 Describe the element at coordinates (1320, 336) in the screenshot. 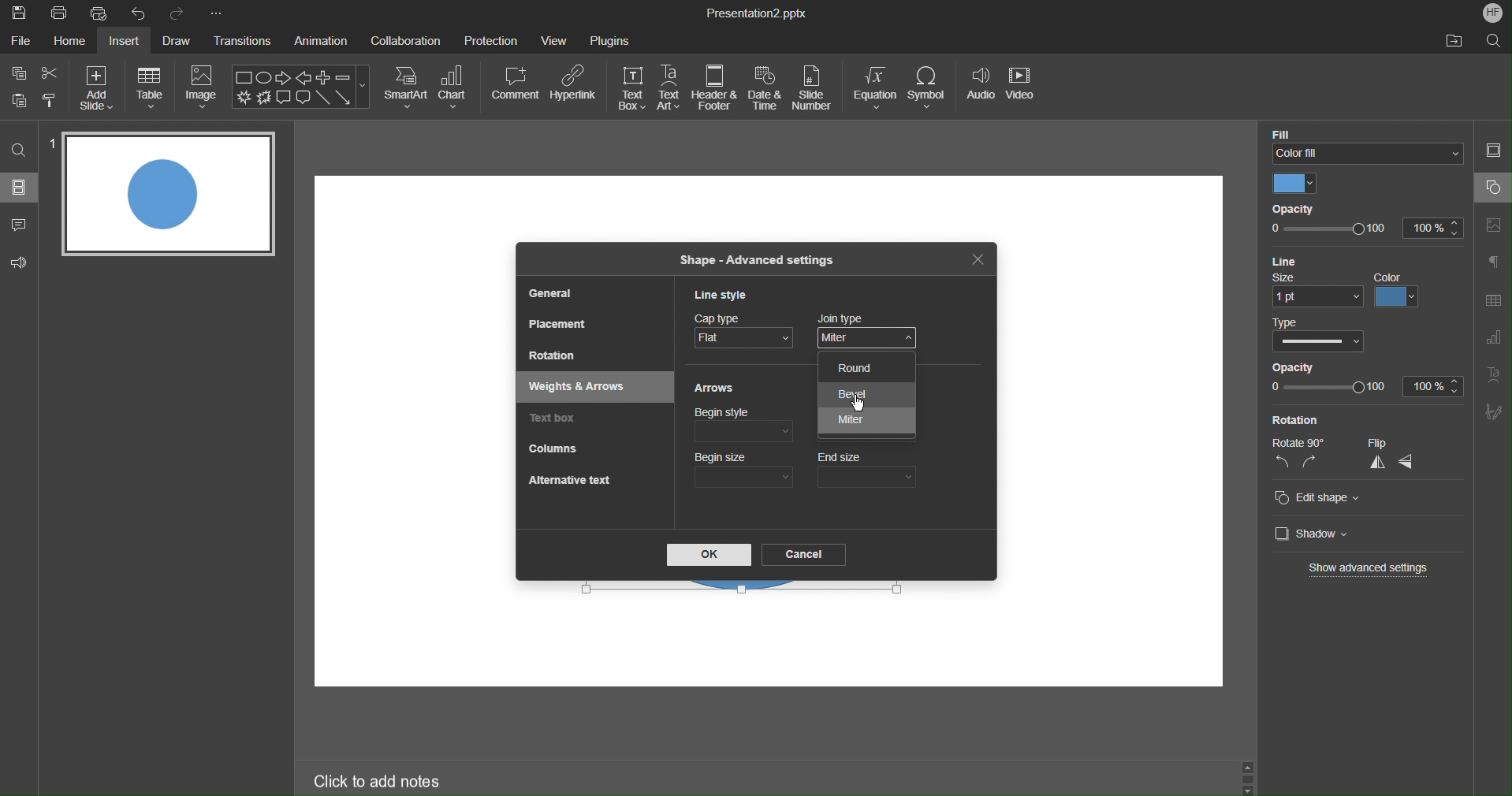

I see `Type` at that location.